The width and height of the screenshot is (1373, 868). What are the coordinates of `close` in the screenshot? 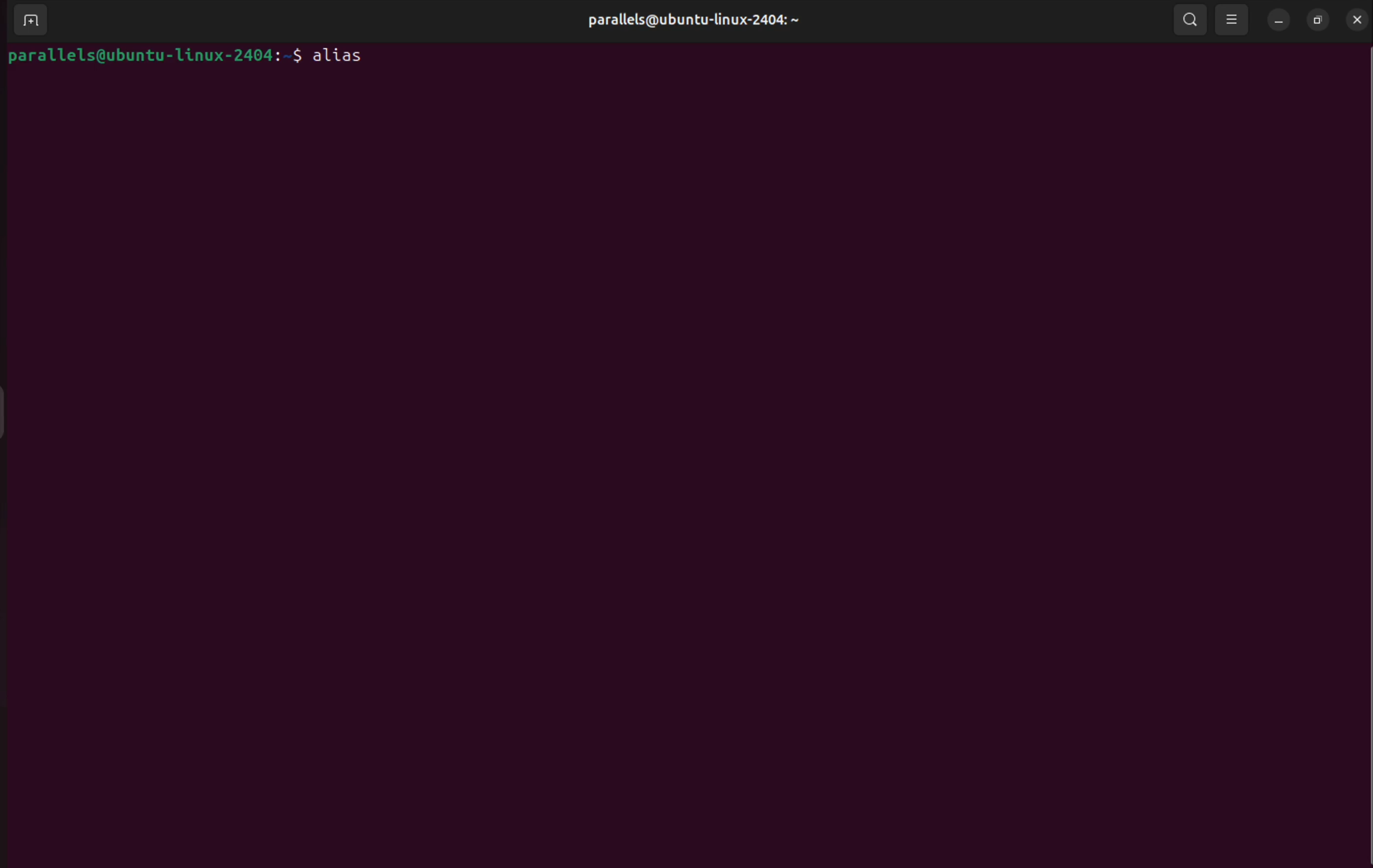 It's located at (1354, 19).